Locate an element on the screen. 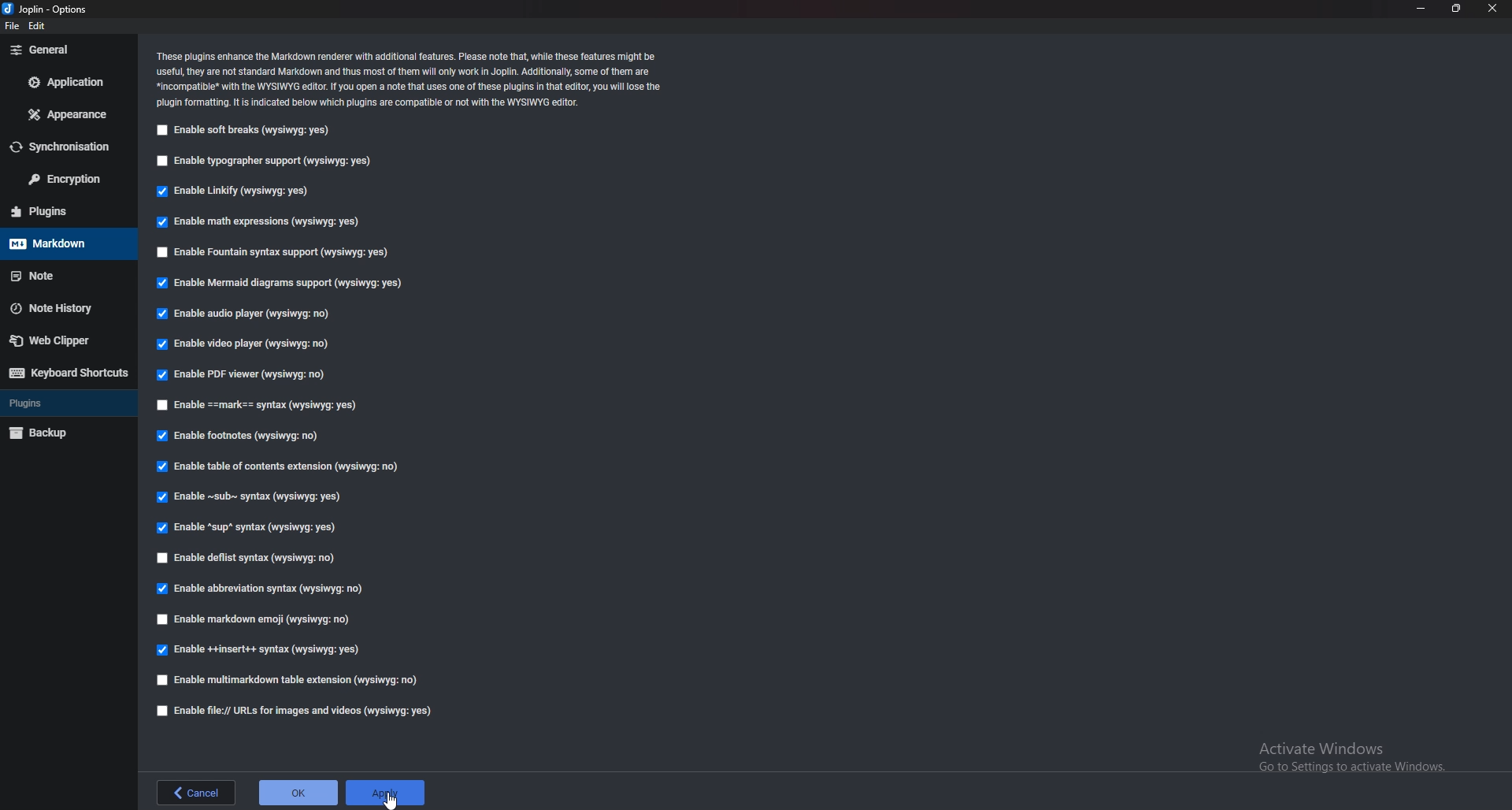 Image resolution: width=1512 pixels, height=810 pixels. file is located at coordinates (11, 27).